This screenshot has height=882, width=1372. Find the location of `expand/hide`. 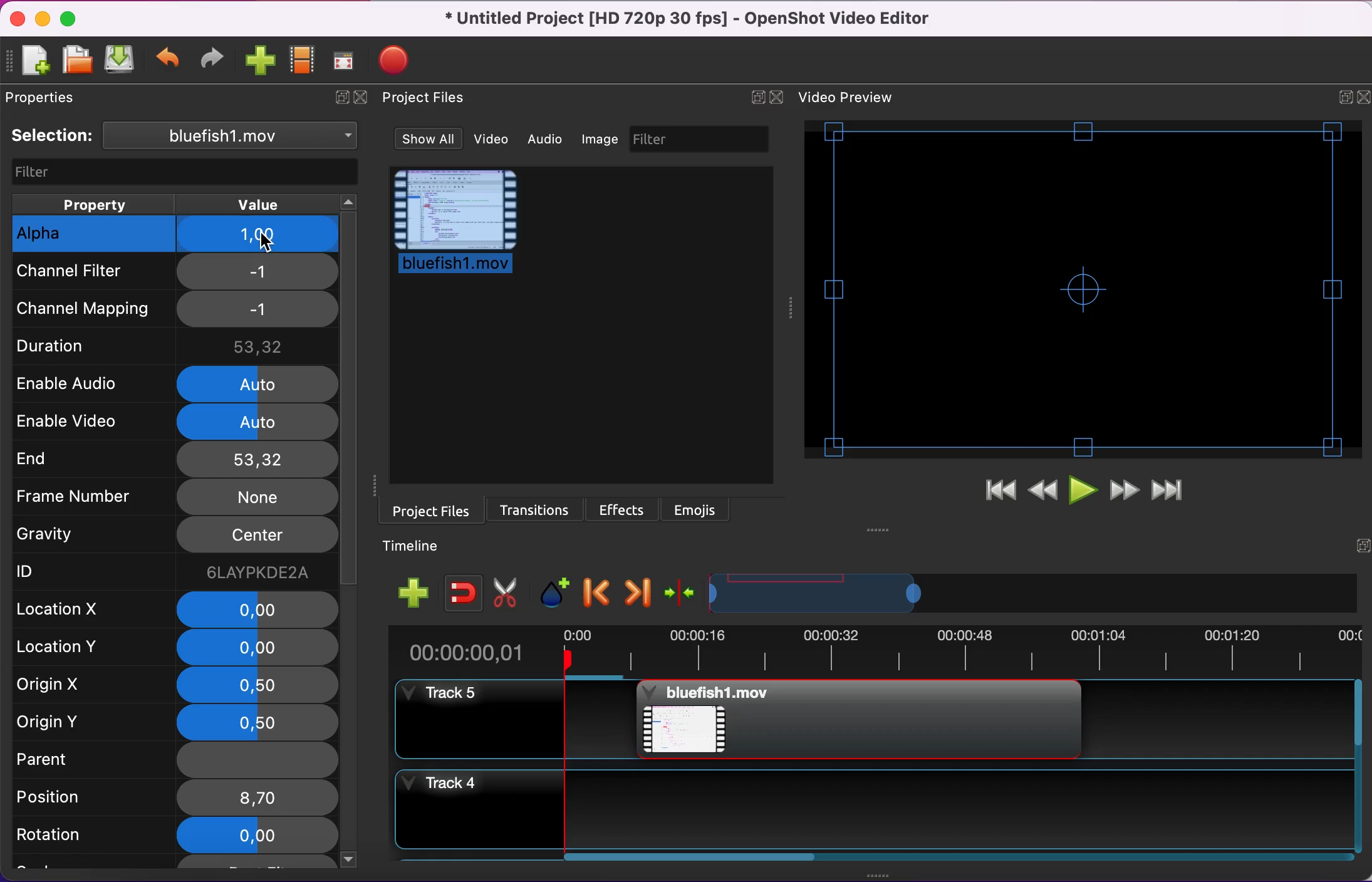

expand/hide is located at coordinates (341, 97).